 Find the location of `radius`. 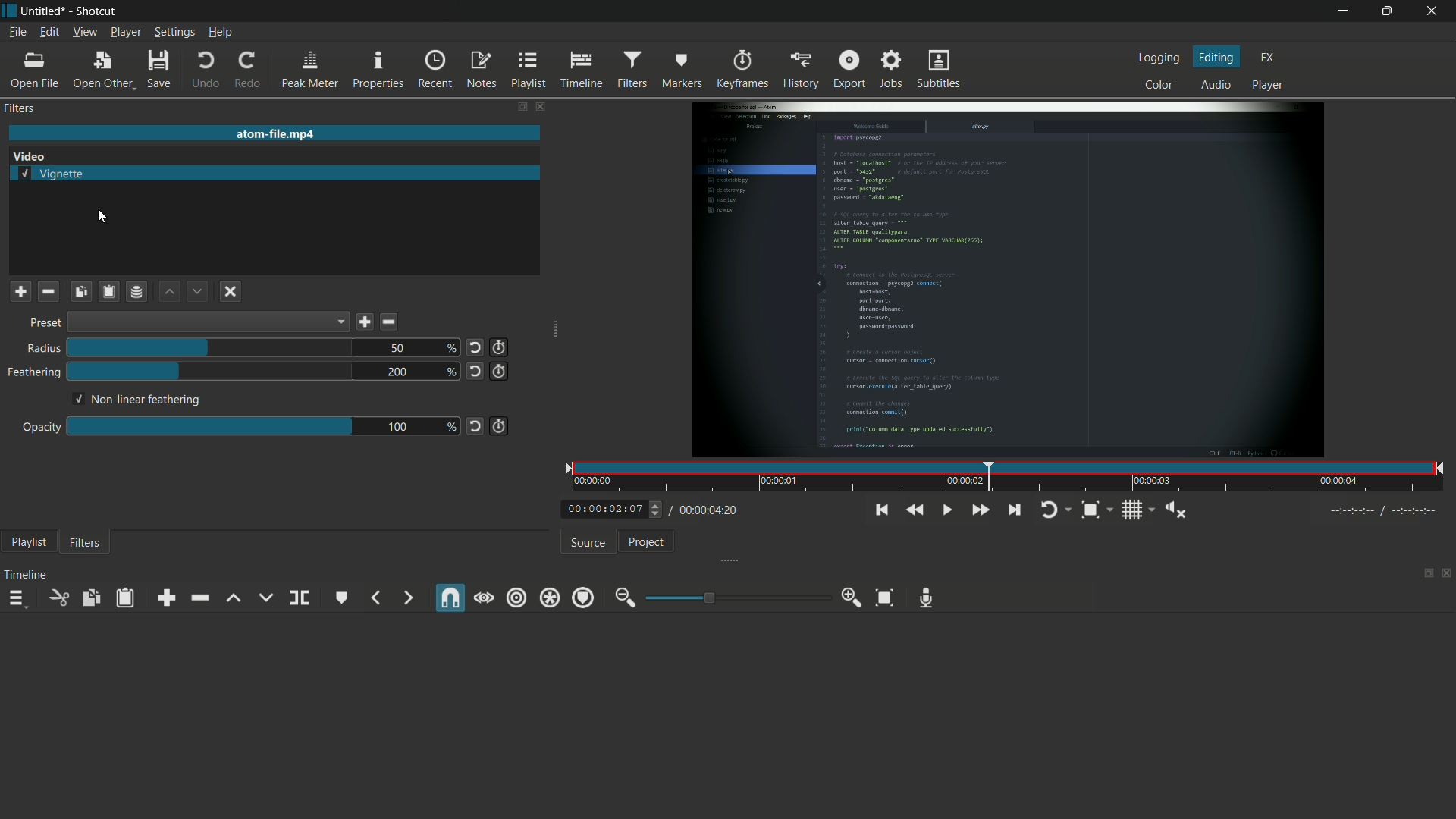

radius is located at coordinates (43, 348).